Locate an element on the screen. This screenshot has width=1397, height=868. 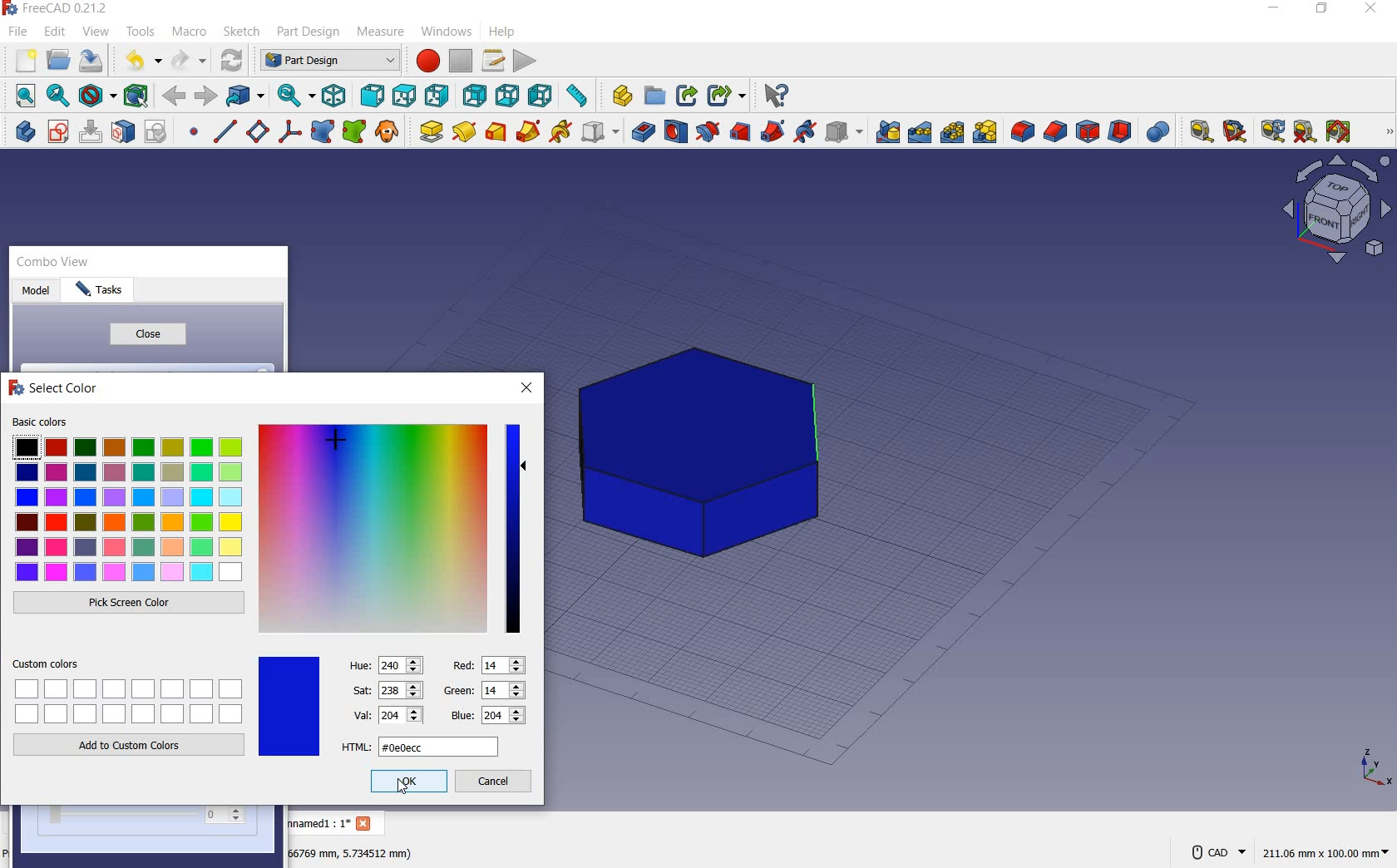
new is located at coordinates (24, 61).